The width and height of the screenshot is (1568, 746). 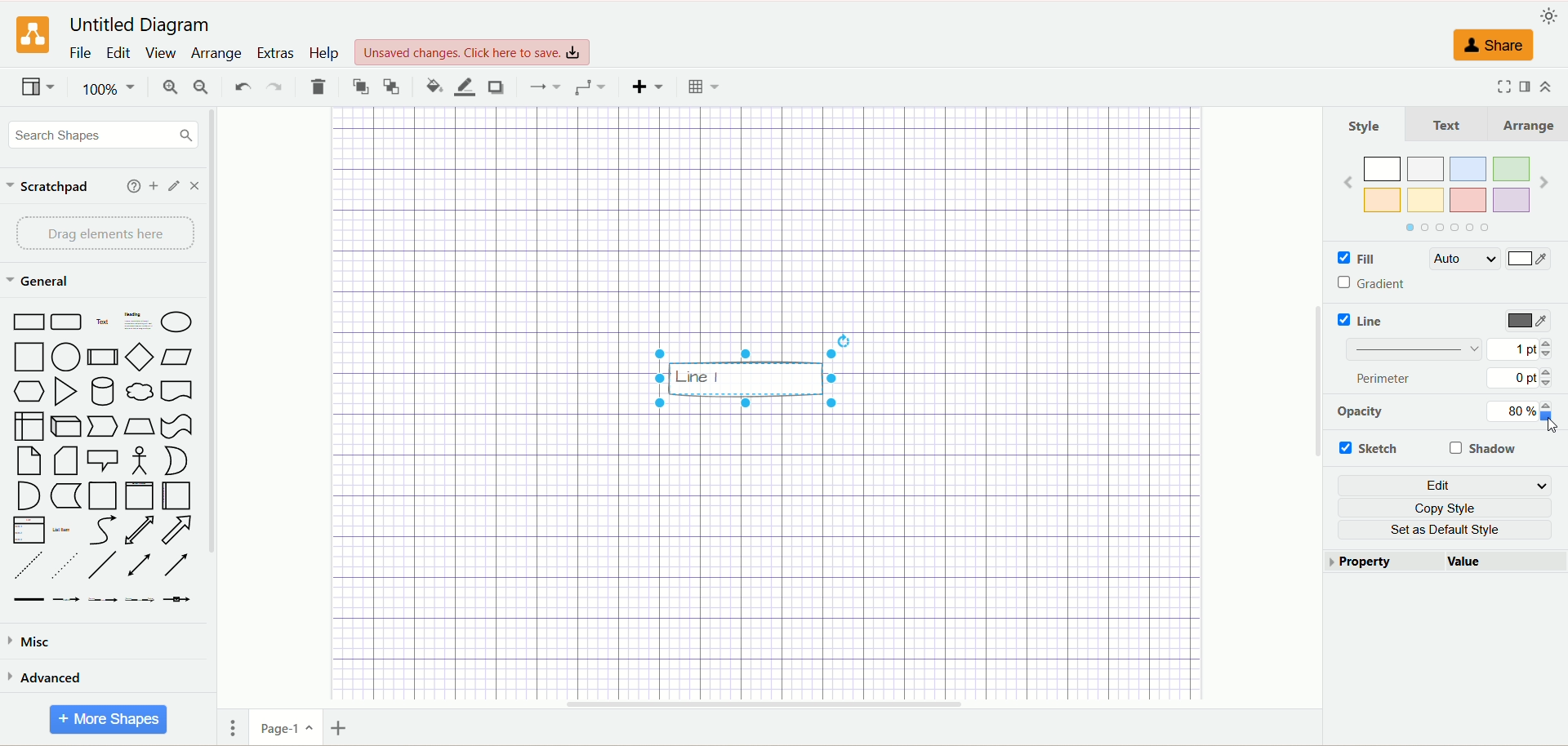 I want to click on Checkbox, so click(x=1343, y=282).